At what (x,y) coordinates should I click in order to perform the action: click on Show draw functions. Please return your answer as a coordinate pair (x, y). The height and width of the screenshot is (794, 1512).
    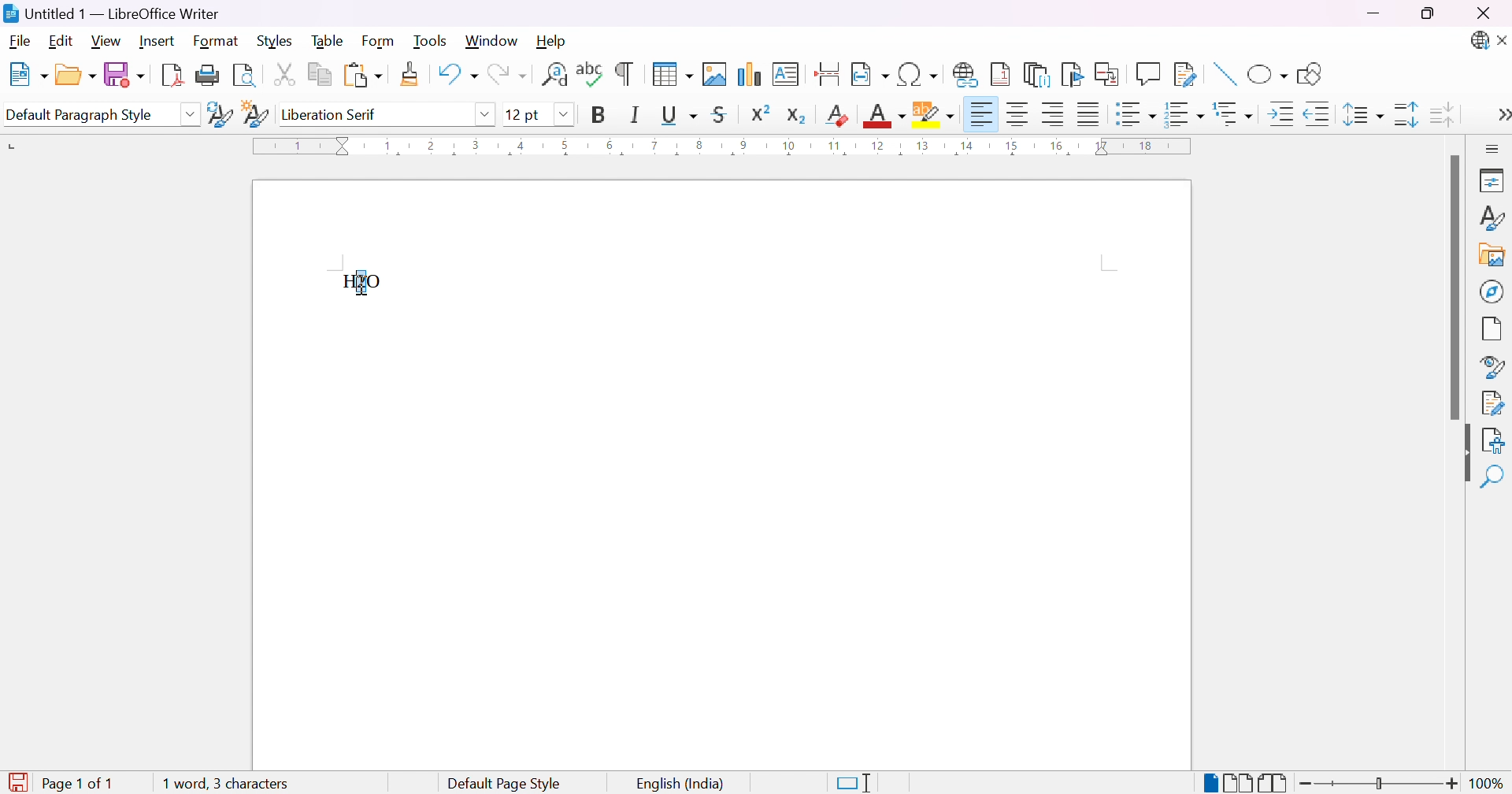
    Looking at the image, I should click on (1307, 74).